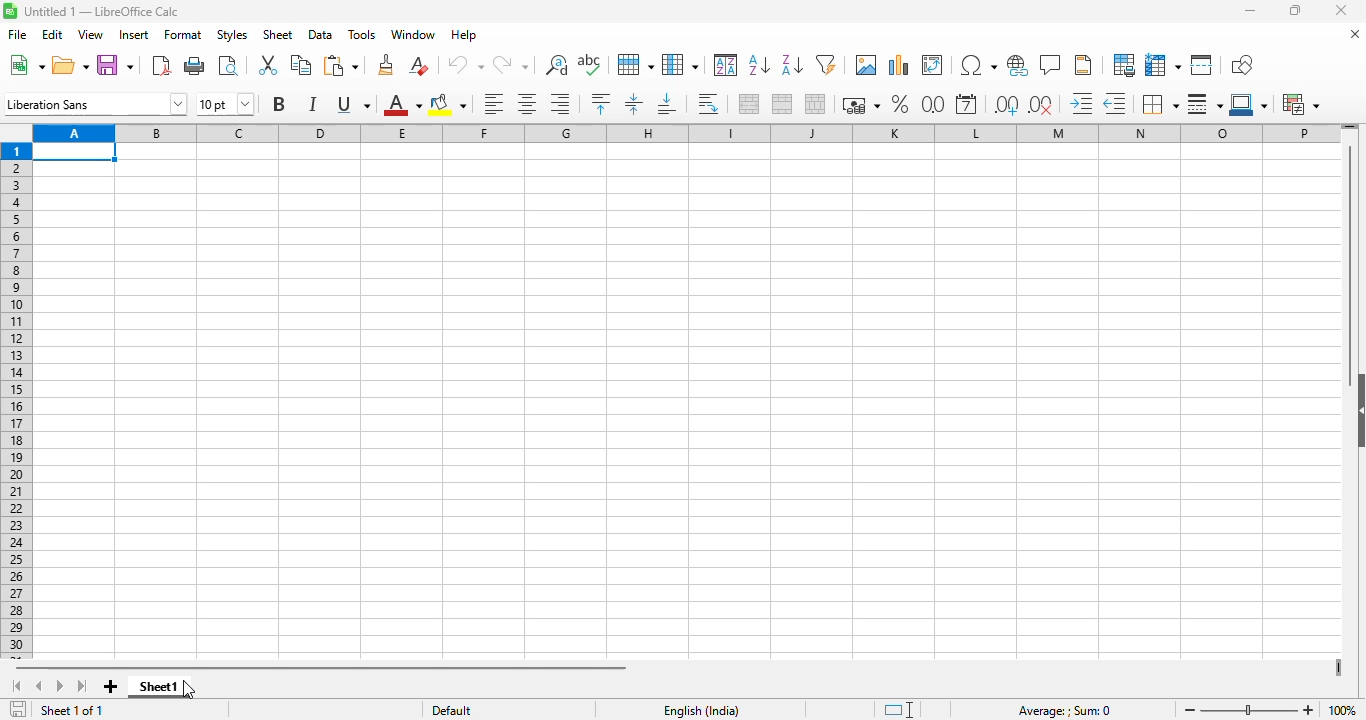 Image resolution: width=1366 pixels, height=720 pixels. What do you see at coordinates (726, 65) in the screenshot?
I see `sort` at bounding box center [726, 65].